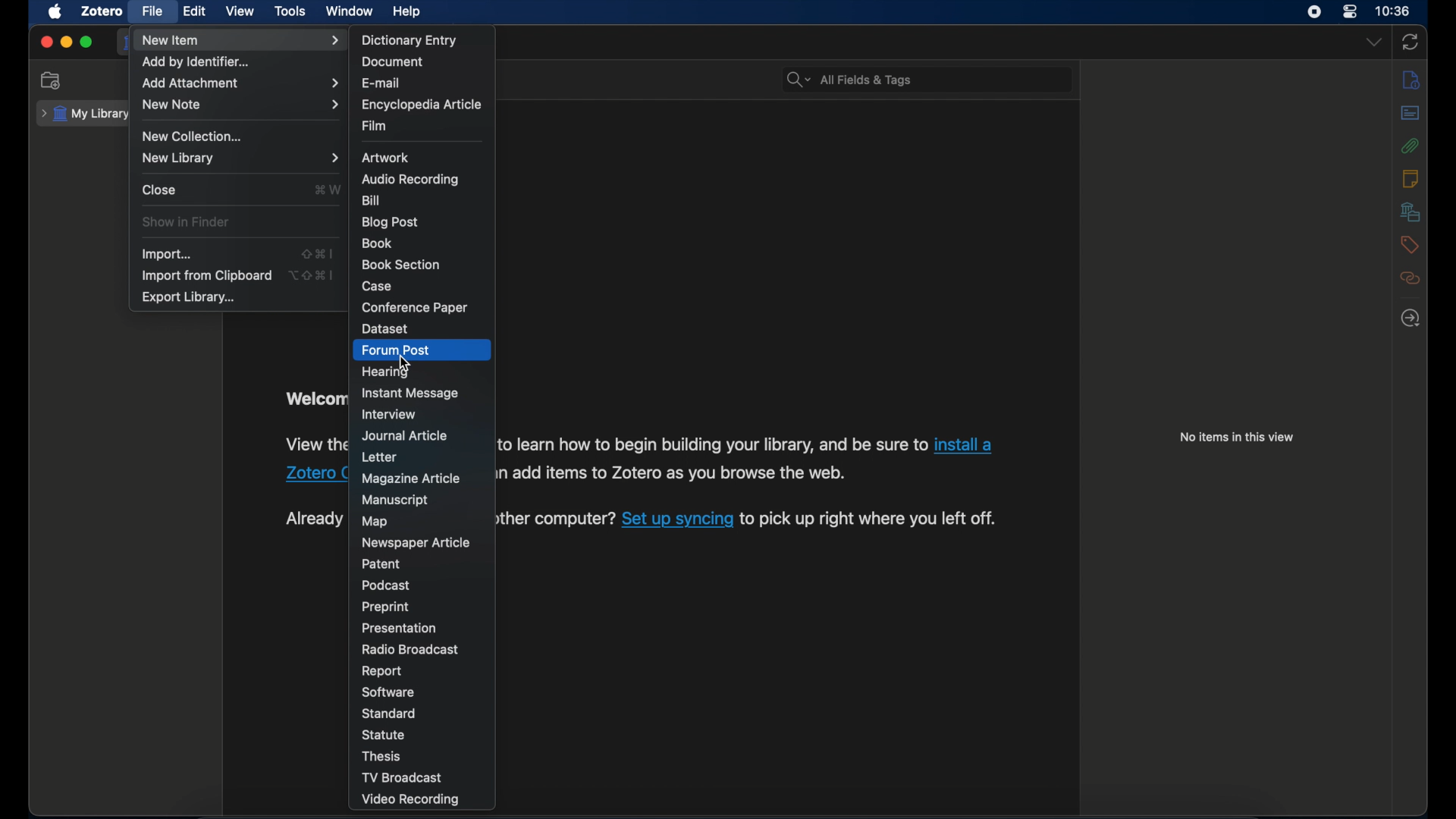 The width and height of the screenshot is (1456, 819). I want to click on locate, so click(1411, 318).